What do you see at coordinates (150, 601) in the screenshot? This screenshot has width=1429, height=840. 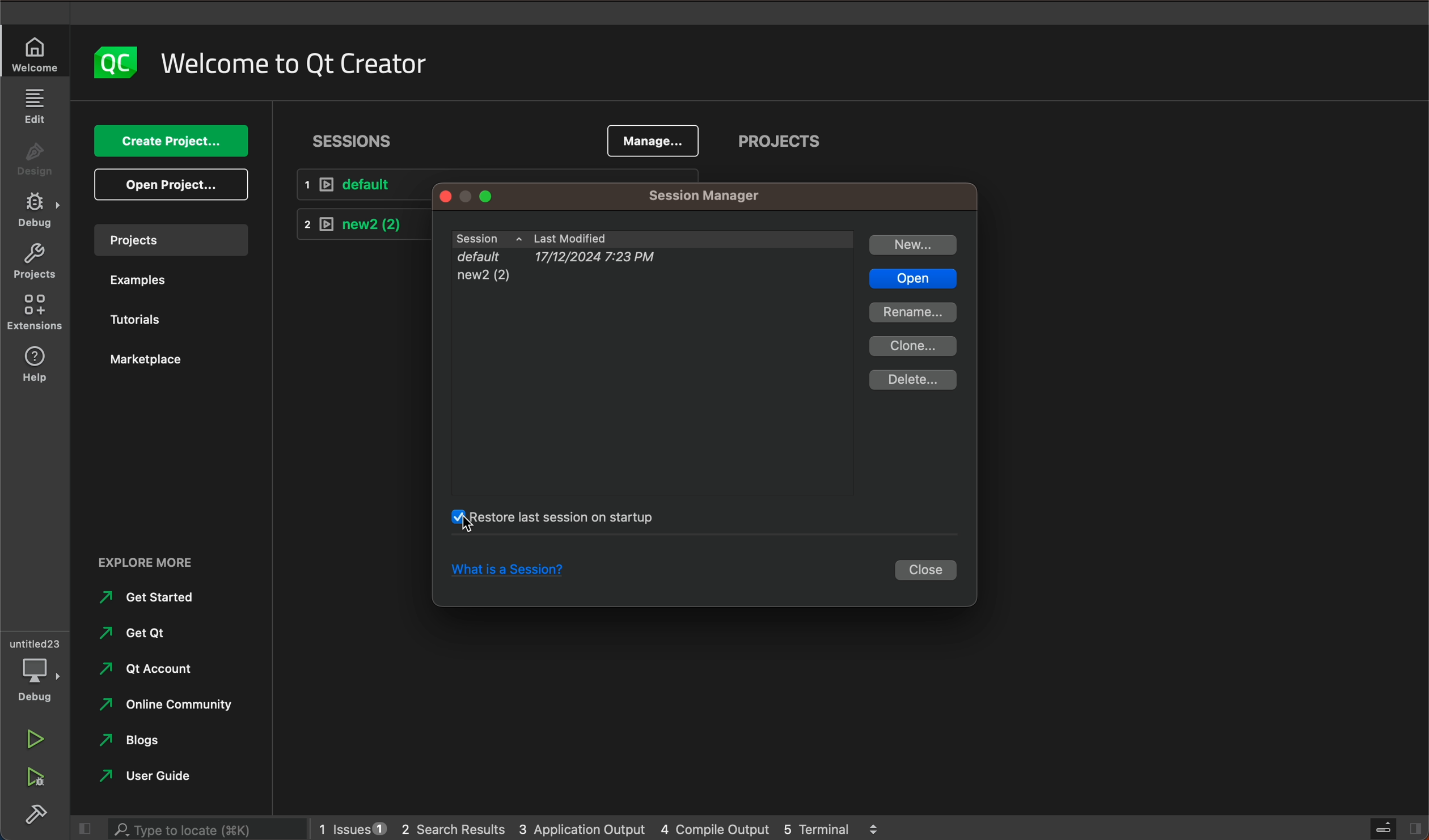 I see `get started` at bounding box center [150, 601].